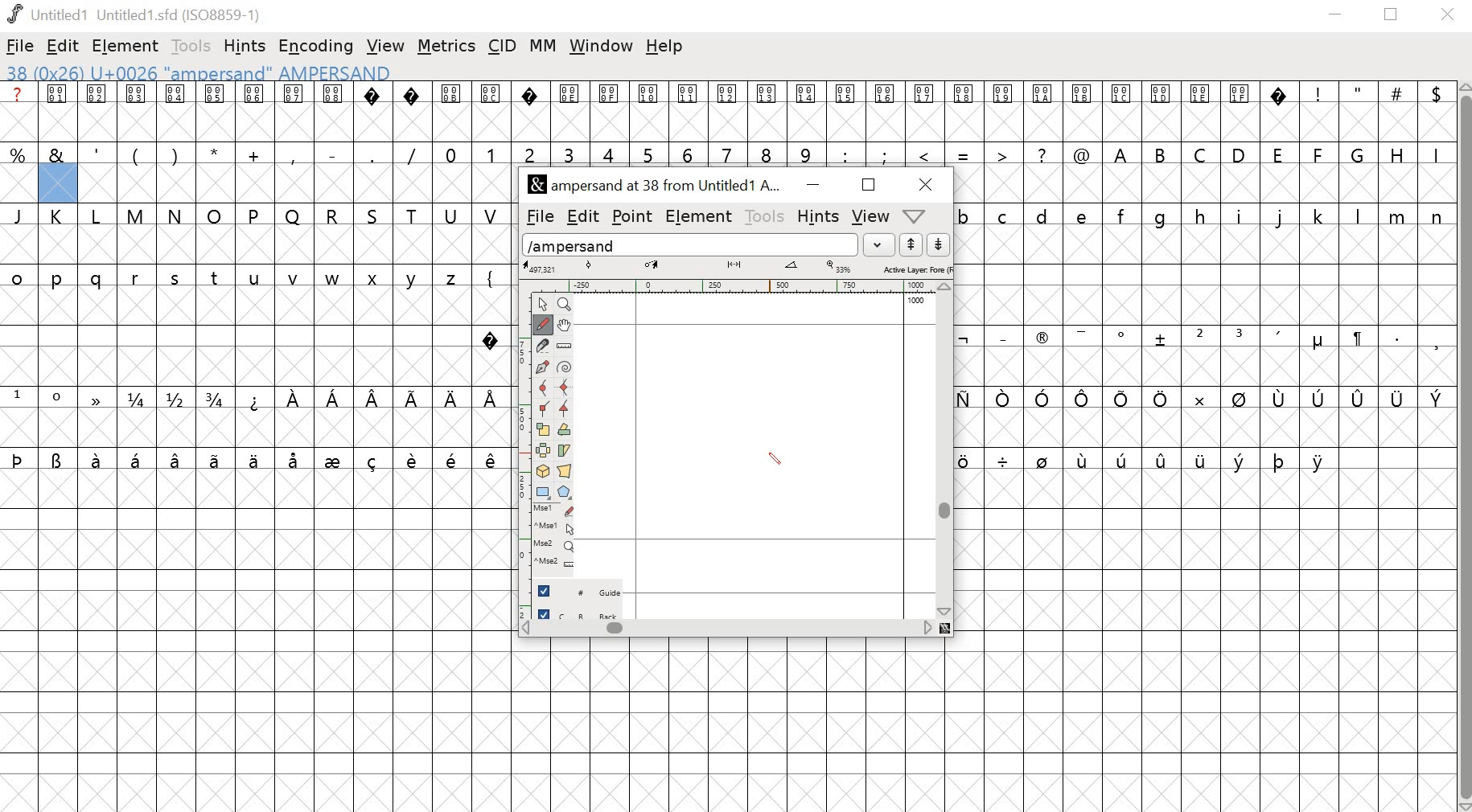 The image size is (1472, 812). Describe the element at coordinates (256, 399) in the screenshot. I see `symbol` at that location.